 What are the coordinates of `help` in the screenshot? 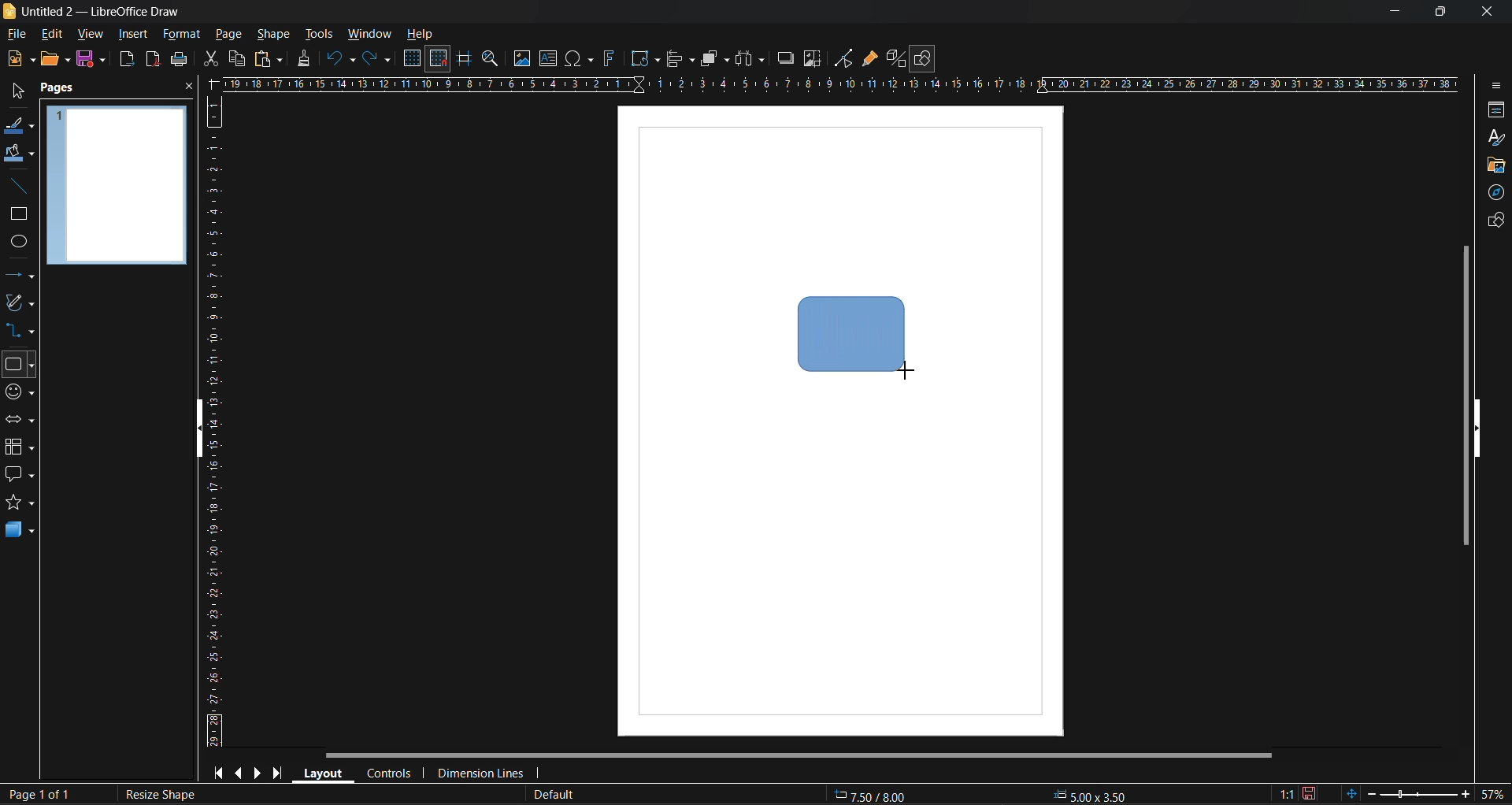 It's located at (421, 35).